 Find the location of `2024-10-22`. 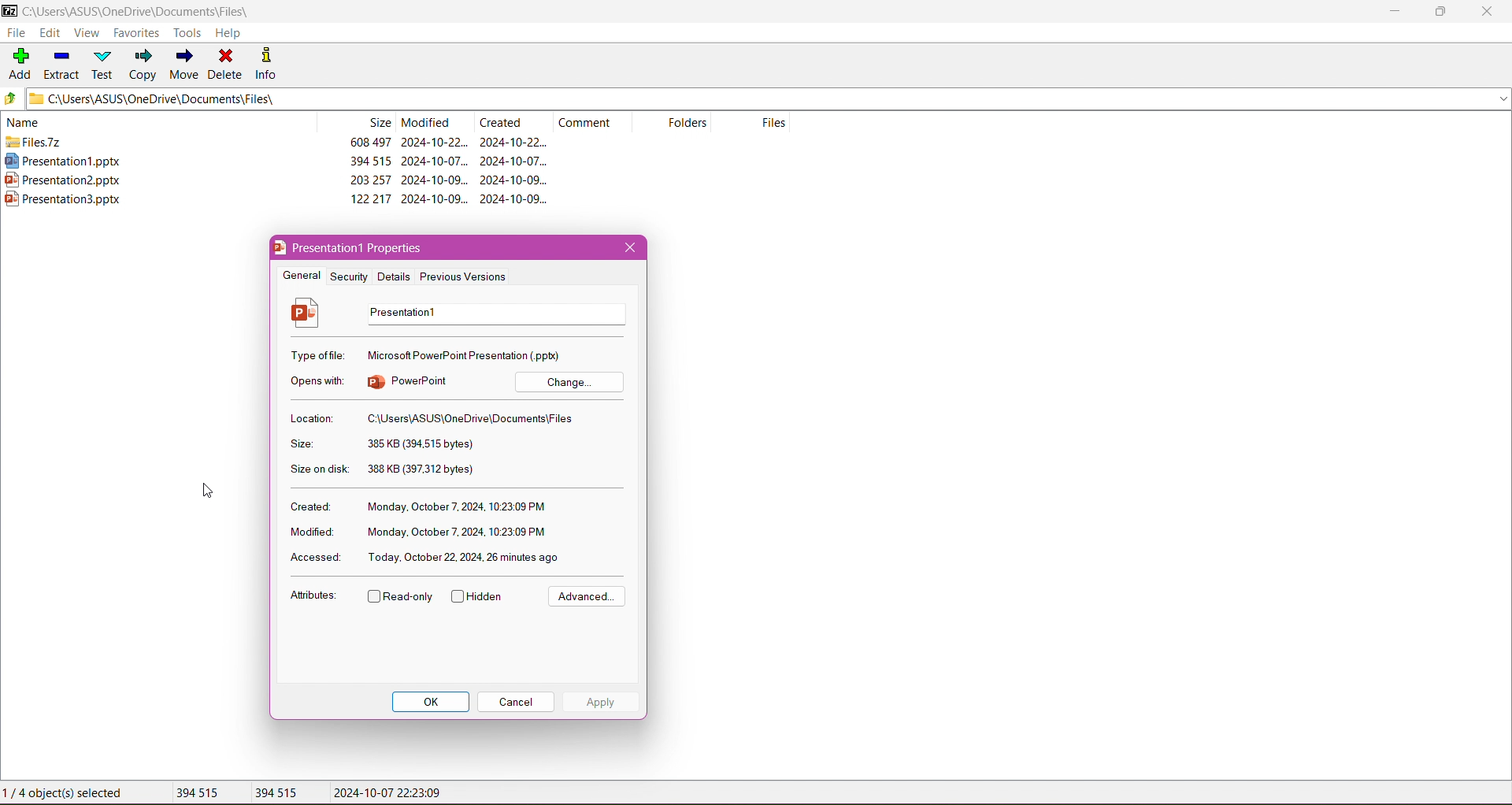

2024-10-22 is located at coordinates (513, 142).